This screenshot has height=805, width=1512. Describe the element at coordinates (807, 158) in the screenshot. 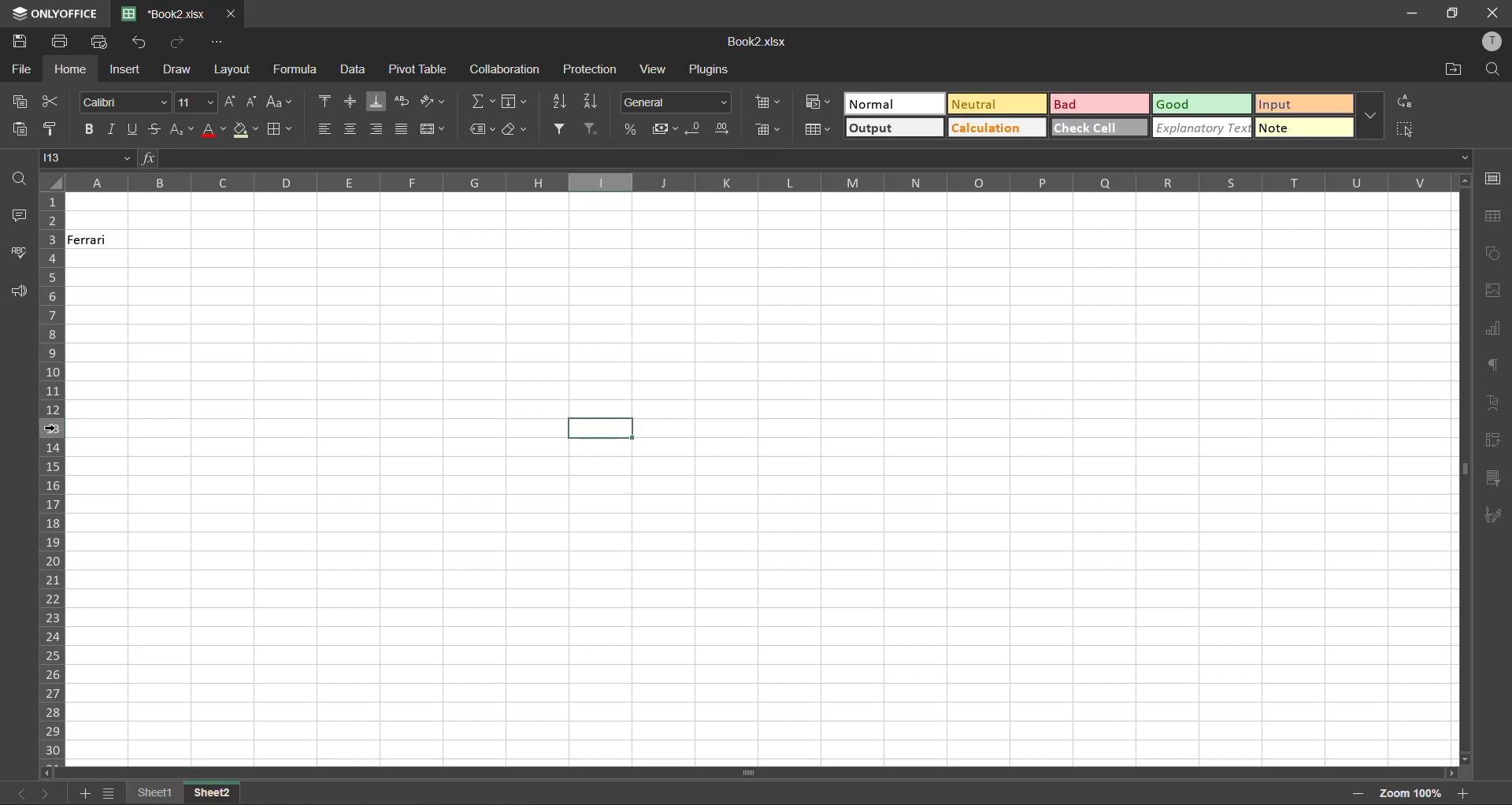

I see `formula bar` at that location.